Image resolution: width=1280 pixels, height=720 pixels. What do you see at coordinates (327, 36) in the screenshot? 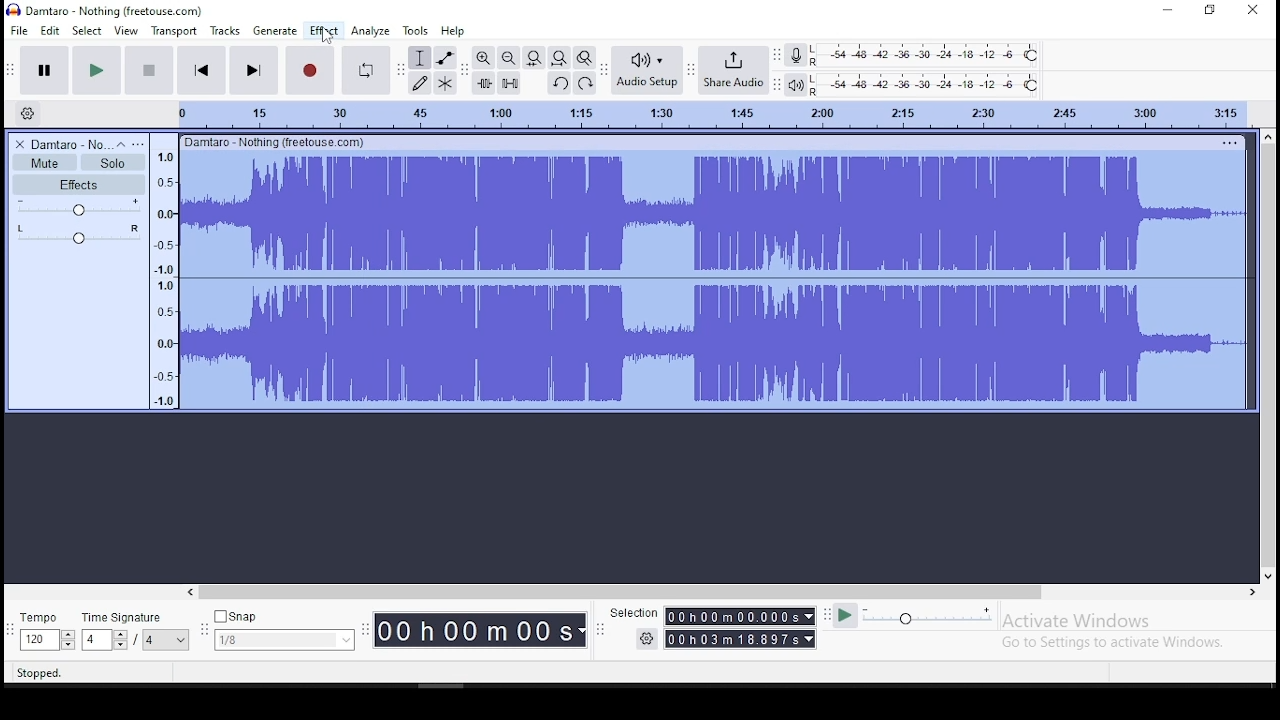
I see `Cursor` at bounding box center [327, 36].